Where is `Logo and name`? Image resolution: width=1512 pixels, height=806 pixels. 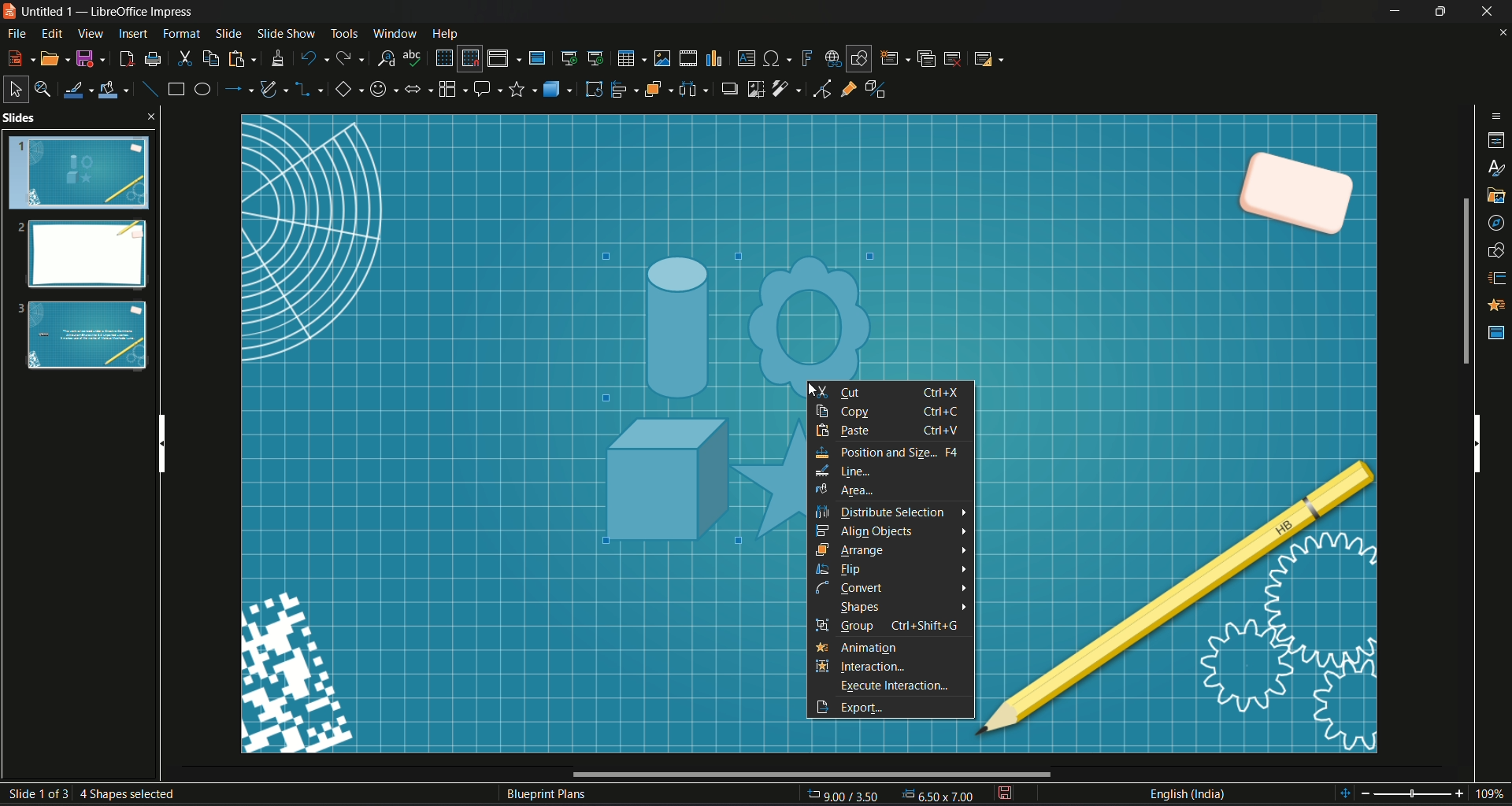 Logo and name is located at coordinates (102, 13).